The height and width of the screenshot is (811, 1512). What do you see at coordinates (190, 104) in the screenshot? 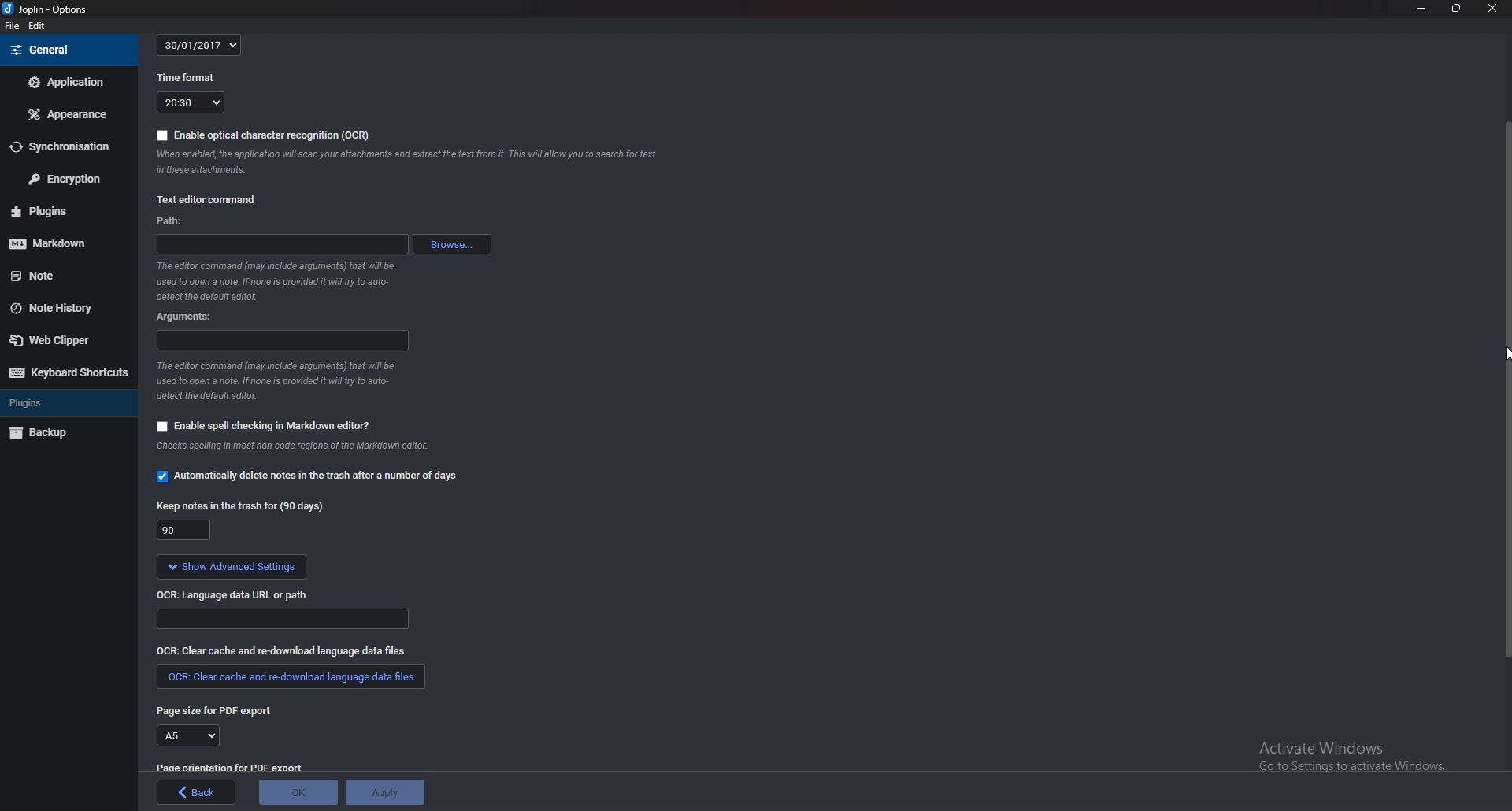
I see `20:30` at bounding box center [190, 104].